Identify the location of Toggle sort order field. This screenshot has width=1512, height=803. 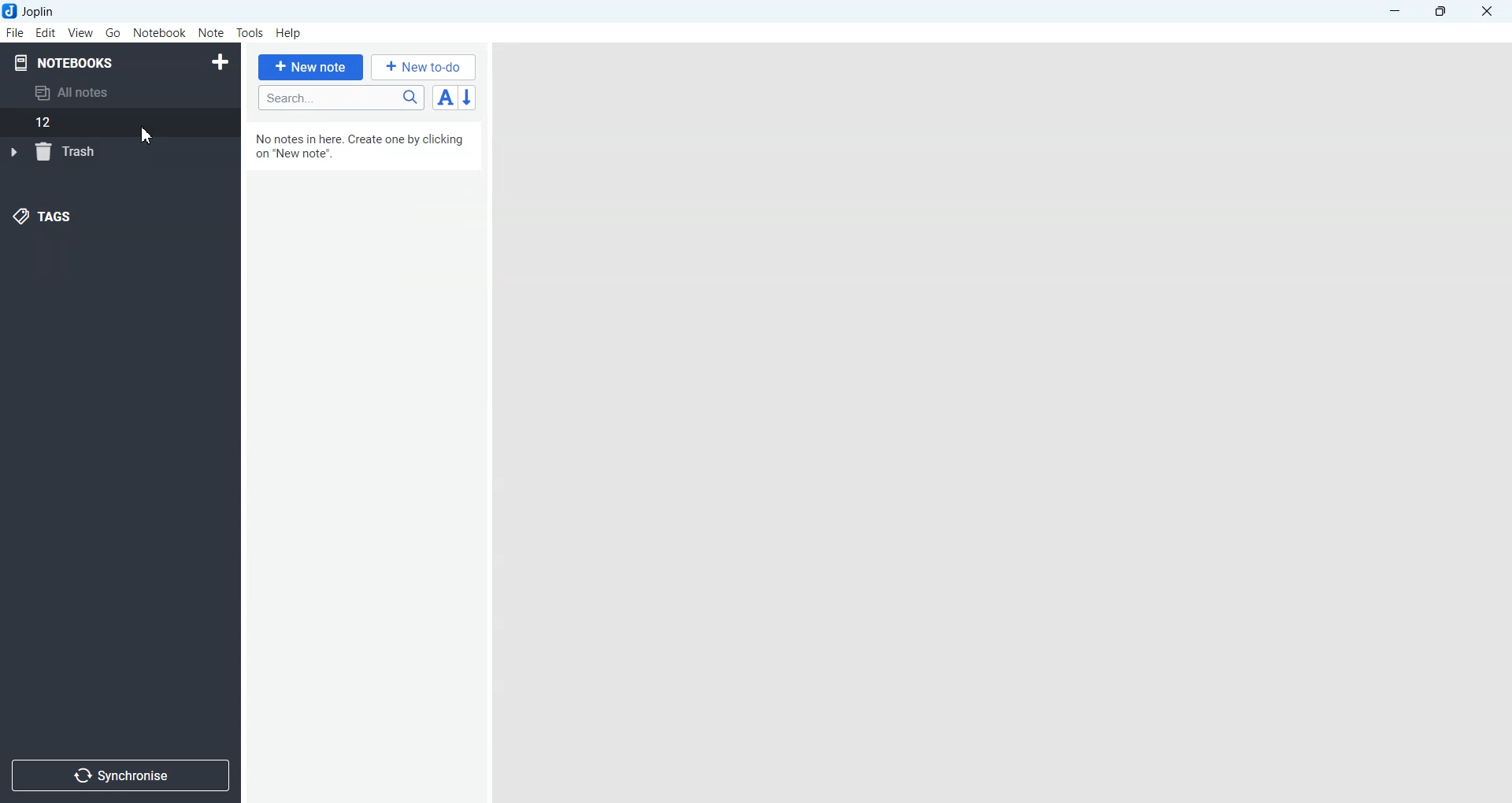
(445, 97).